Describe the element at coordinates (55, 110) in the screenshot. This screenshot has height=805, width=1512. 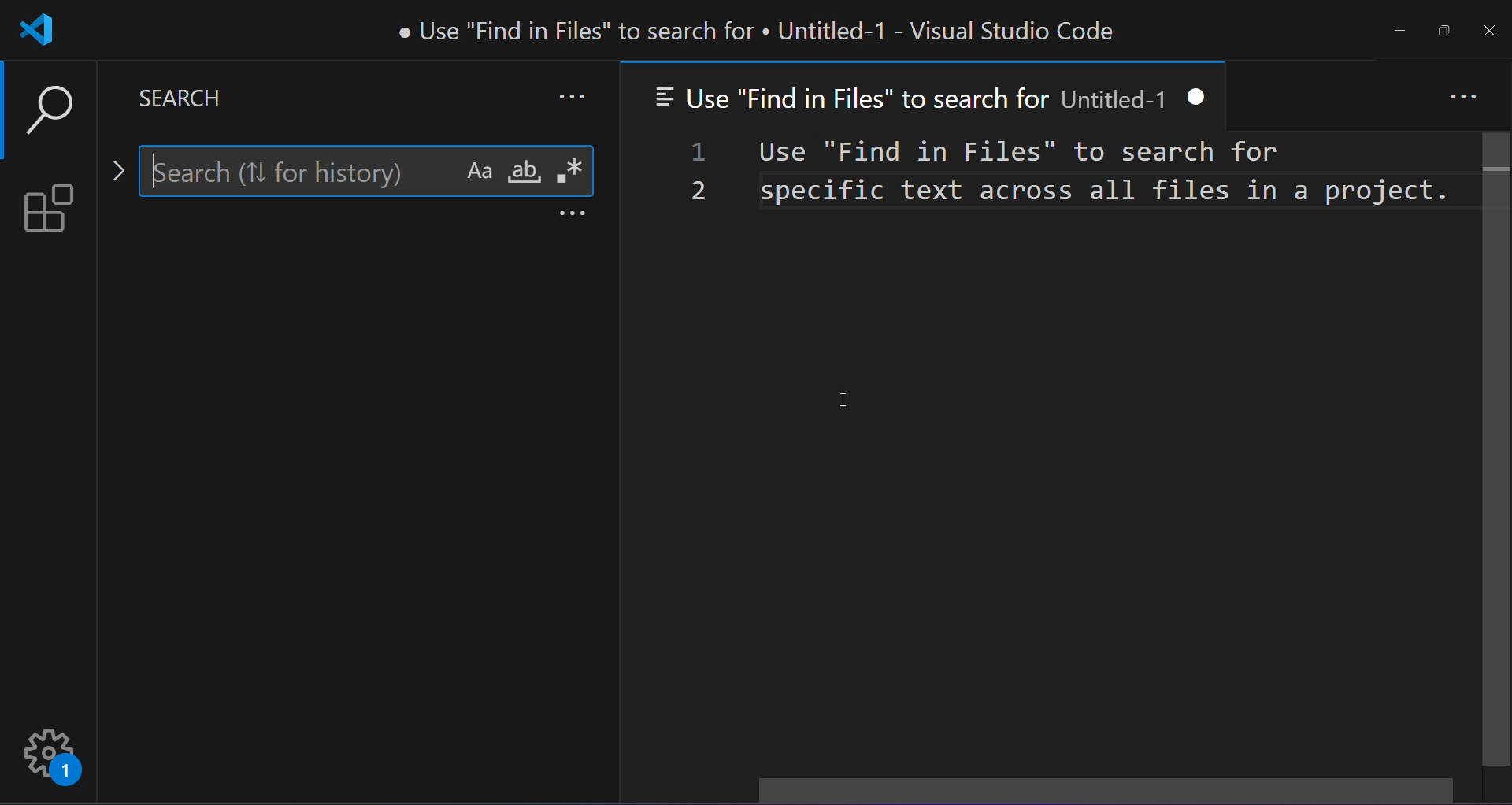
I see `search option` at that location.